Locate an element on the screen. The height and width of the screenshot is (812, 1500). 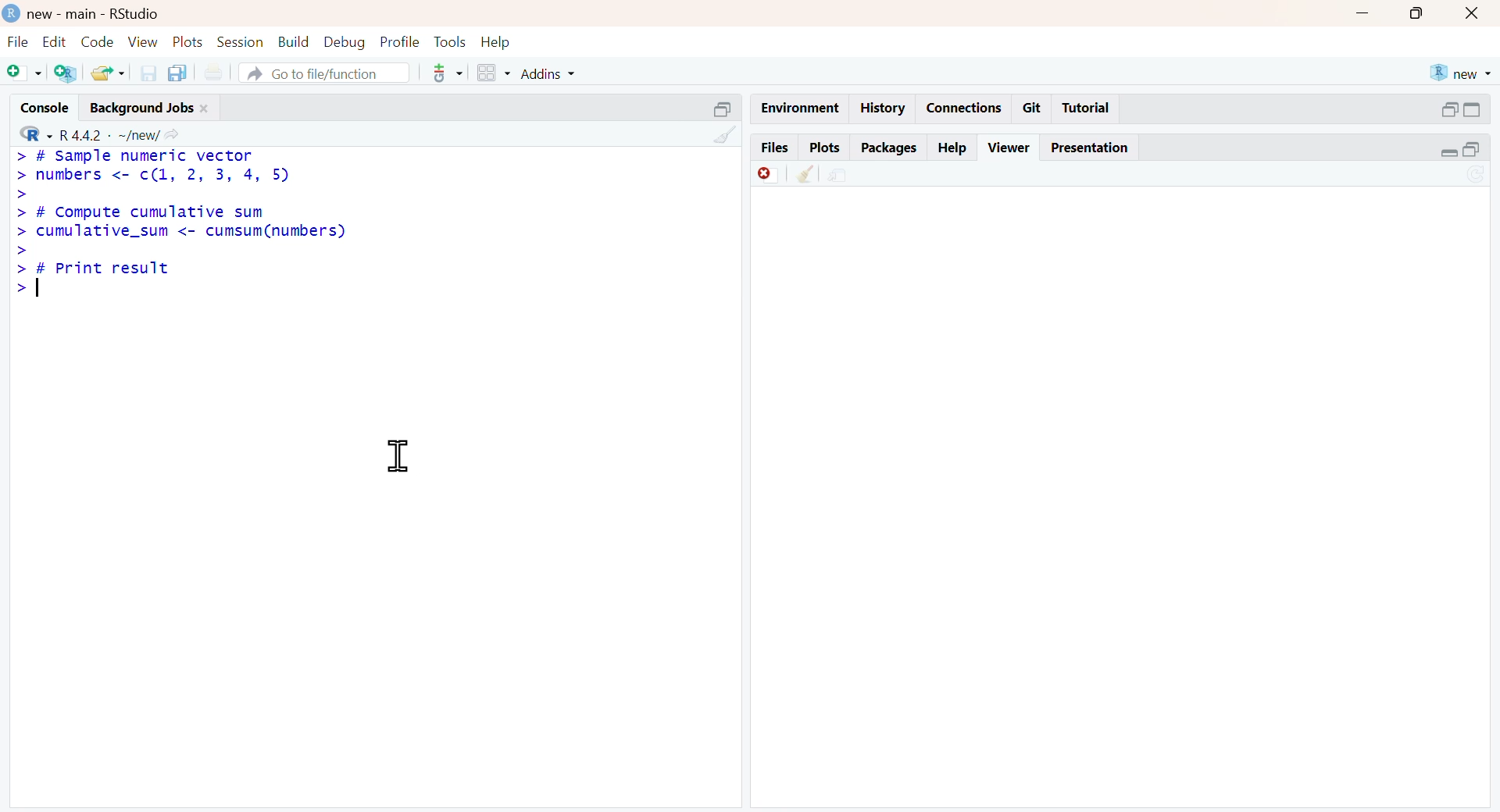
Viewer is located at coordinates (1011, 146).